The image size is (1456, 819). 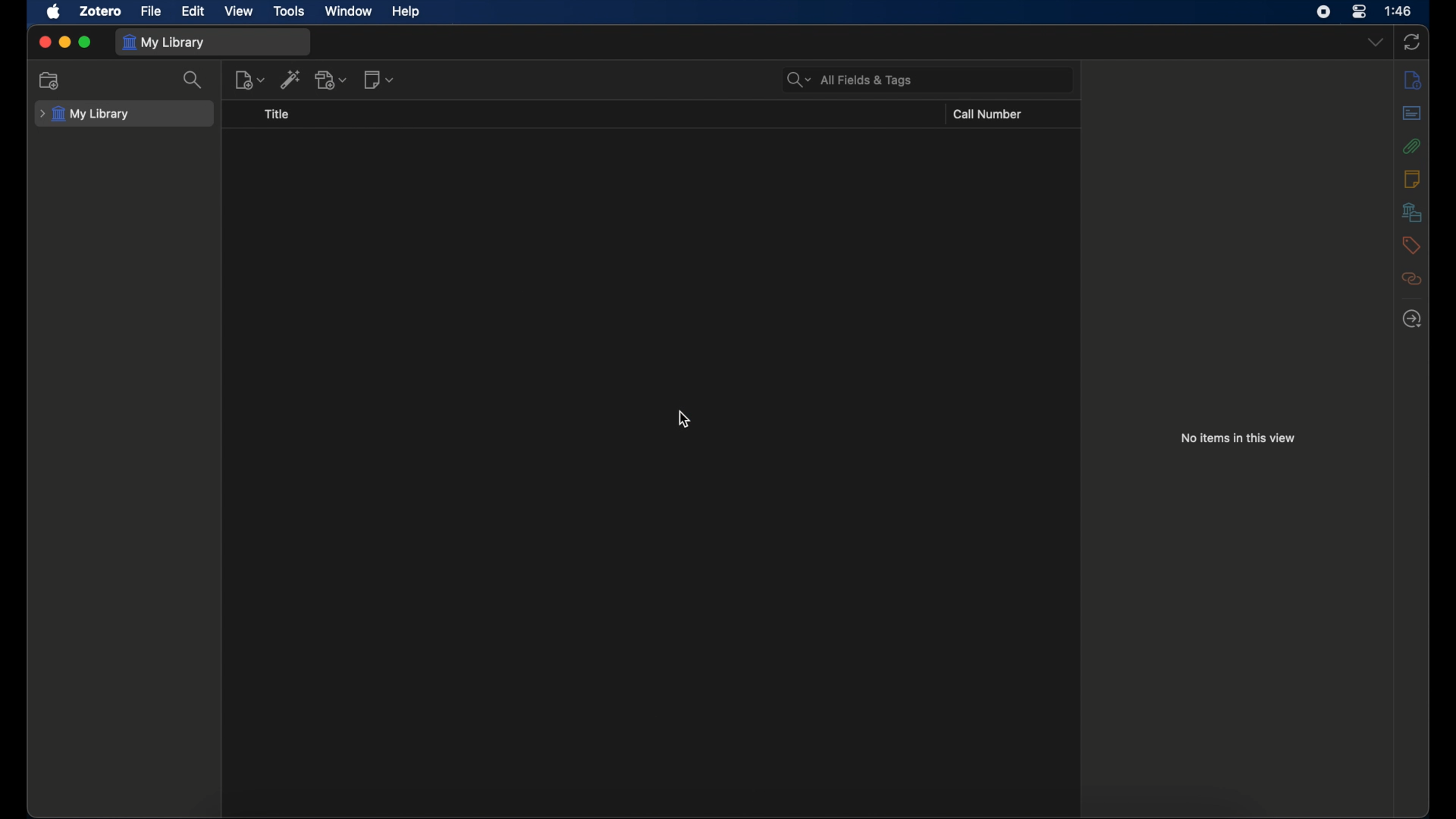 I want to click on help, so click(x=405, y=11).